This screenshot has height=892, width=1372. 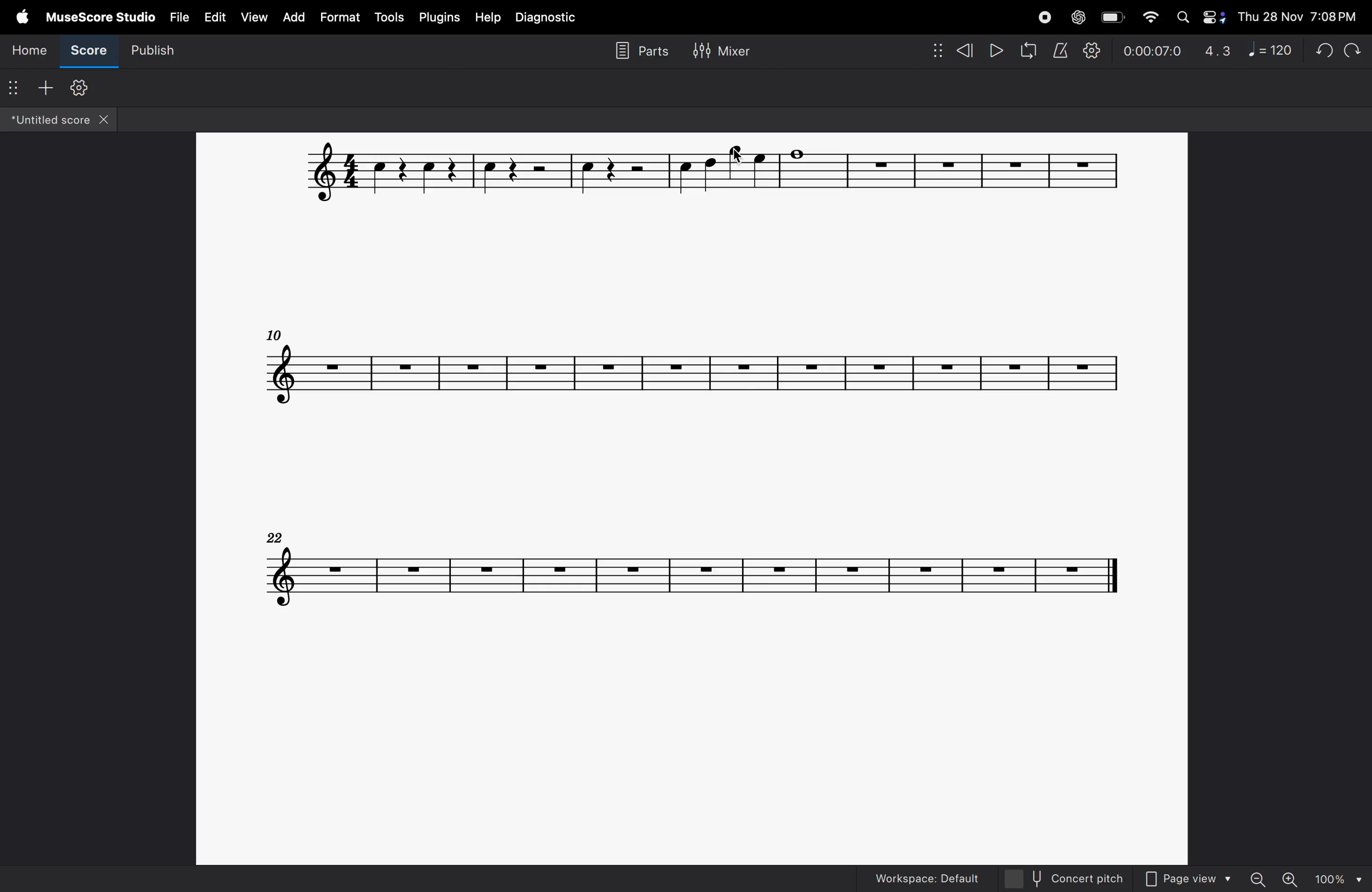 I want to click on Cursor, so click(x=728, y=157).